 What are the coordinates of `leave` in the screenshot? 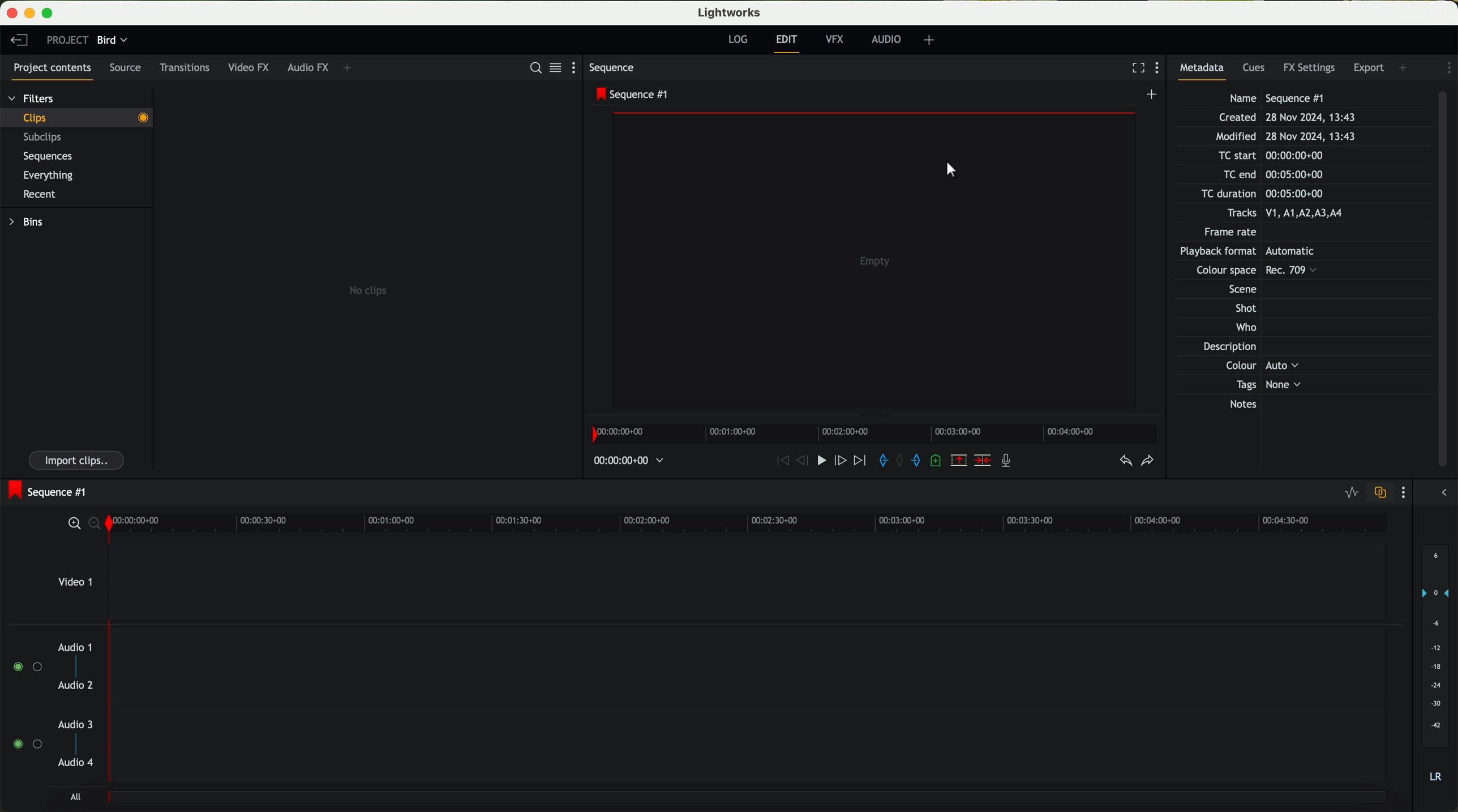 It's located at (18, 40).